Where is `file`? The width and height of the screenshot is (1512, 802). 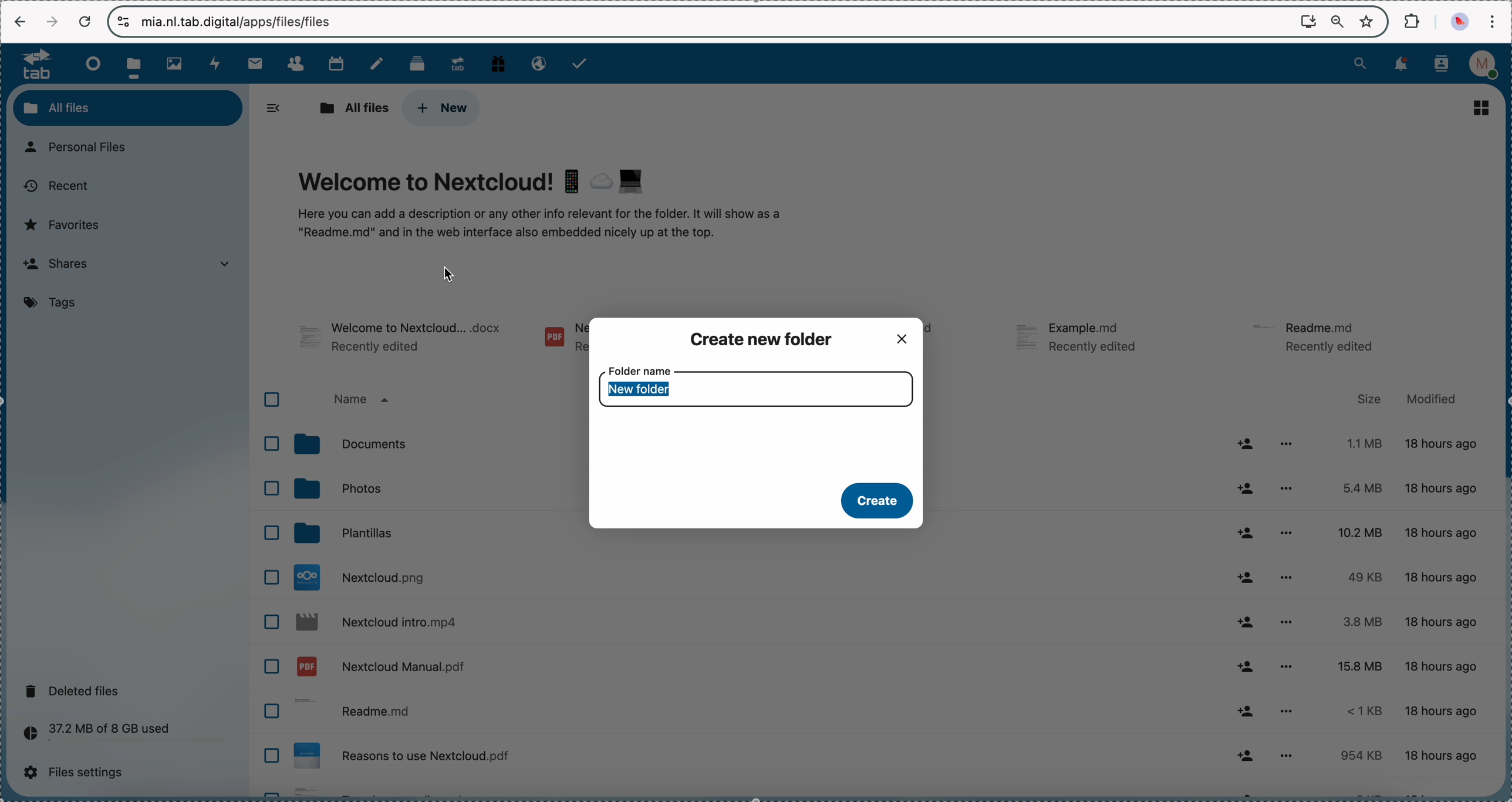
file is located at coordinates (562, 340).